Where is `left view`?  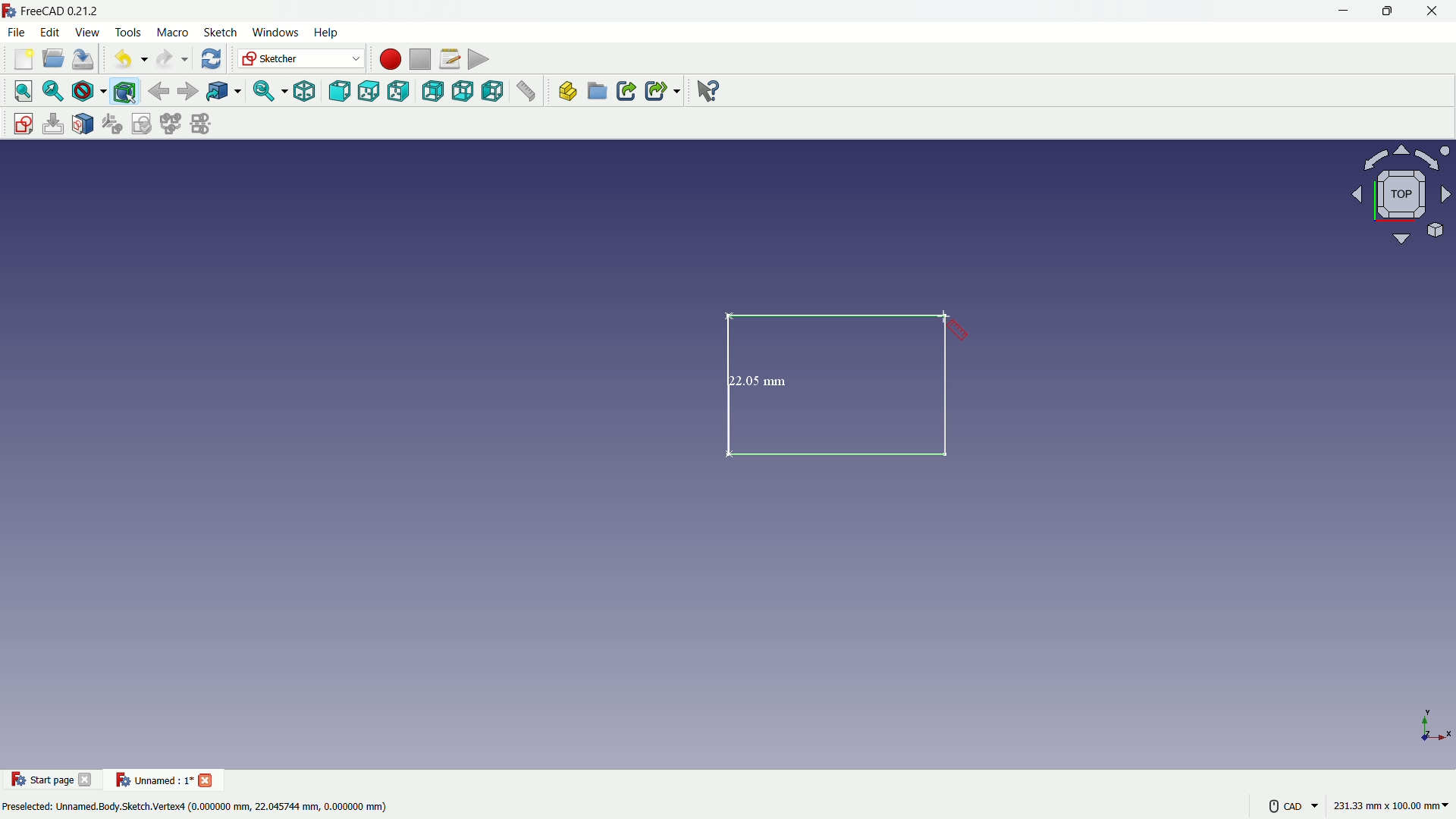 left view is located at coordinates (495, 93).